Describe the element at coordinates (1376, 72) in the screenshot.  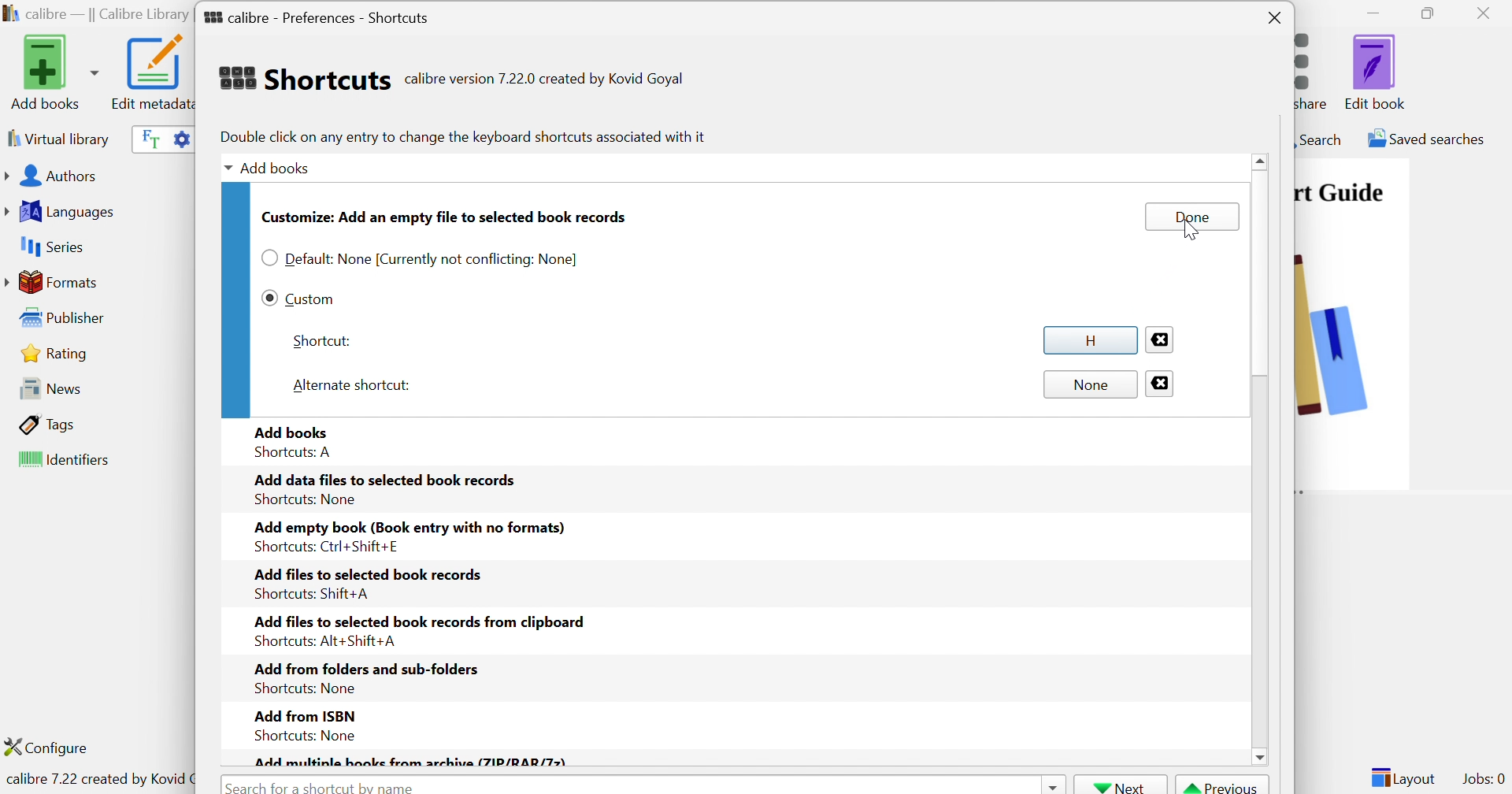
I see `Edit book` at that location.